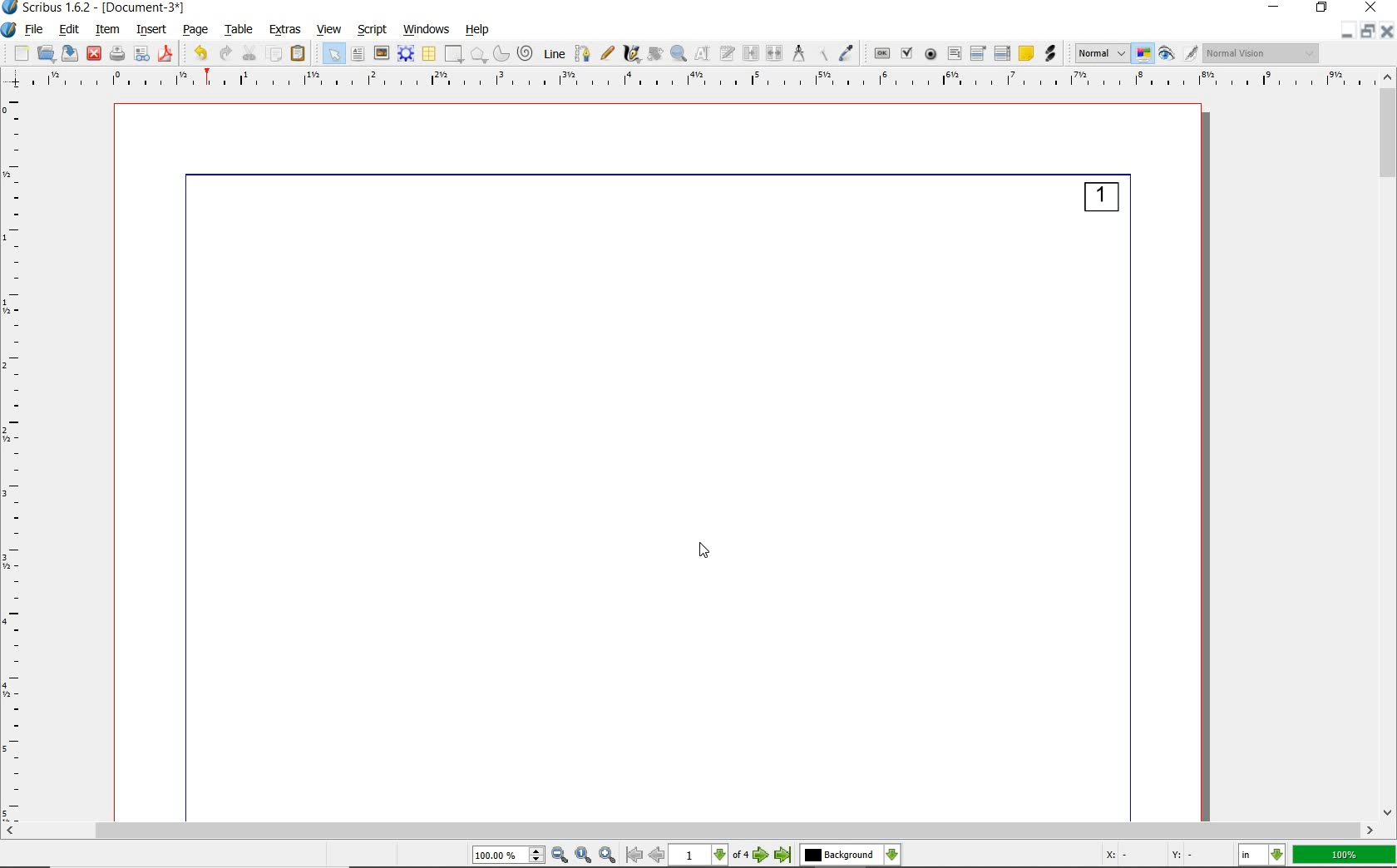  Describe the element at coordinates (18, 457) in the screenshot. I see `Vertical Margin` at that location.